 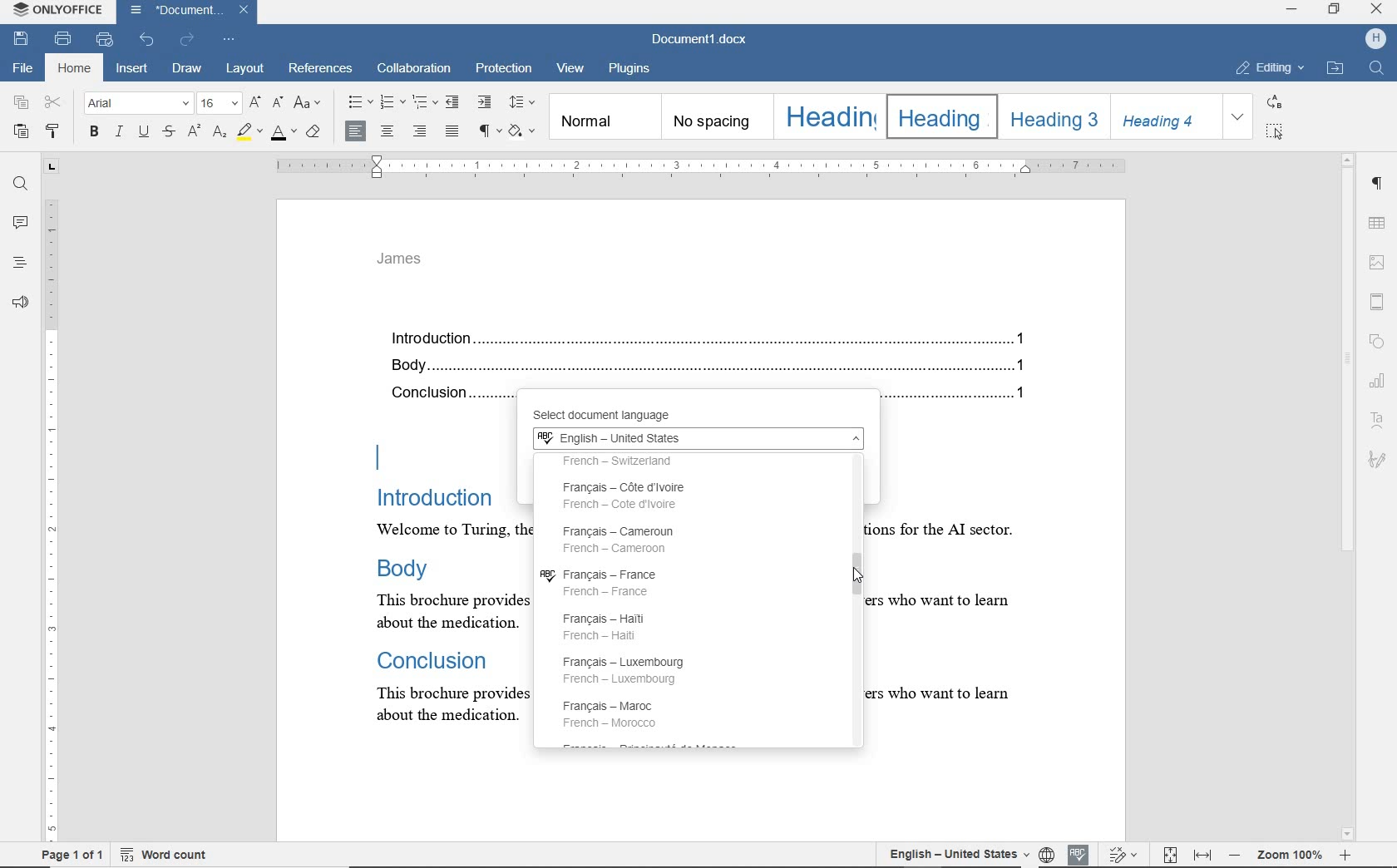 What do you see at coordinates (827, 116) in the screenshot?
I see `Heading 1` at bounding box center [827, 116].